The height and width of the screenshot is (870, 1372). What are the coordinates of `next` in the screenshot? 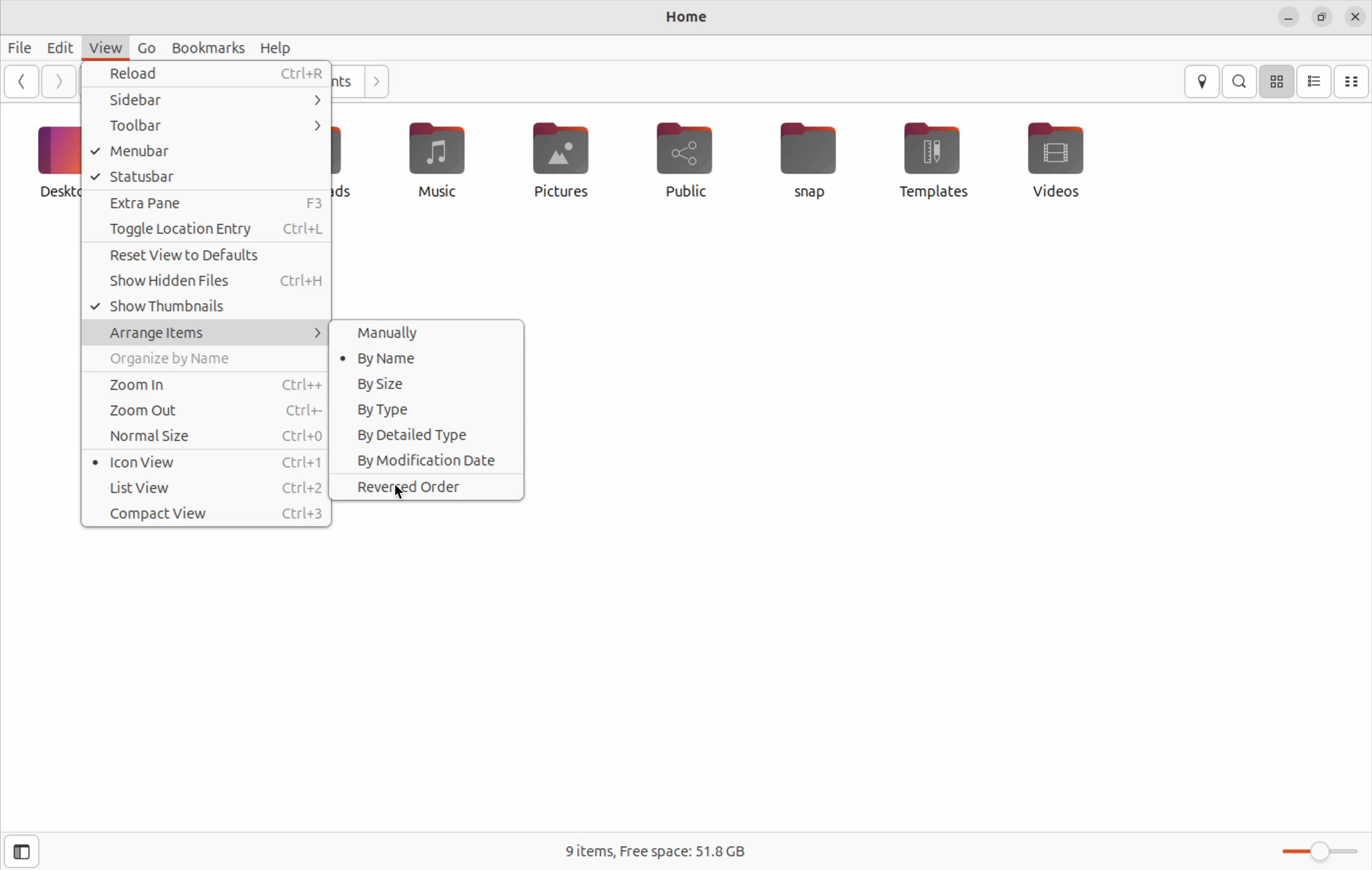 It's located at (57, 83).